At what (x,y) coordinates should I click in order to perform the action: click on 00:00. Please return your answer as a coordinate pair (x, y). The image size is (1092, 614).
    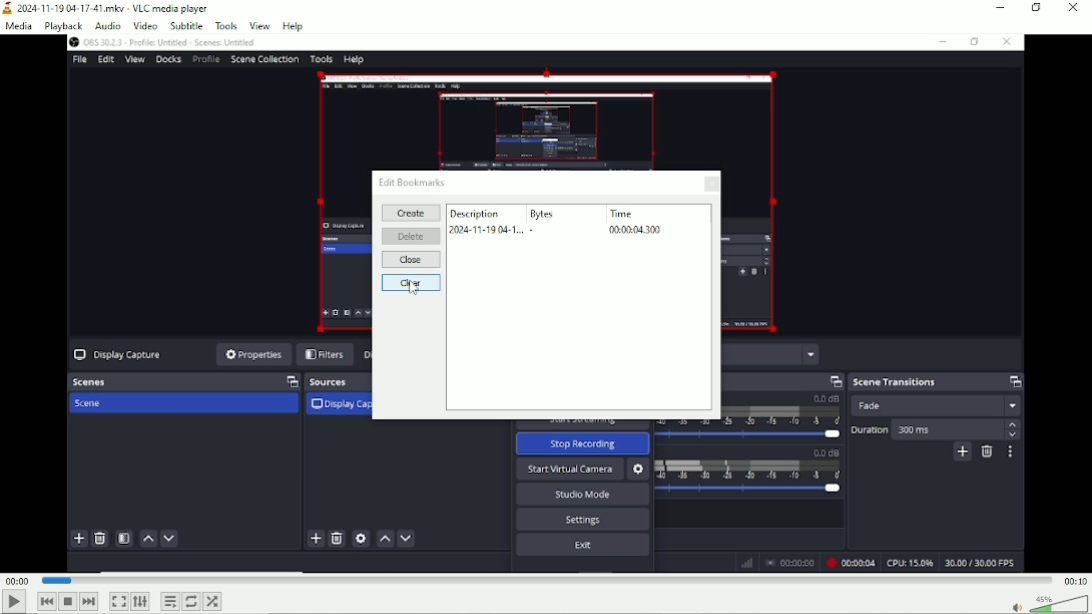
    Looking at the image, I should click on (18, 581).